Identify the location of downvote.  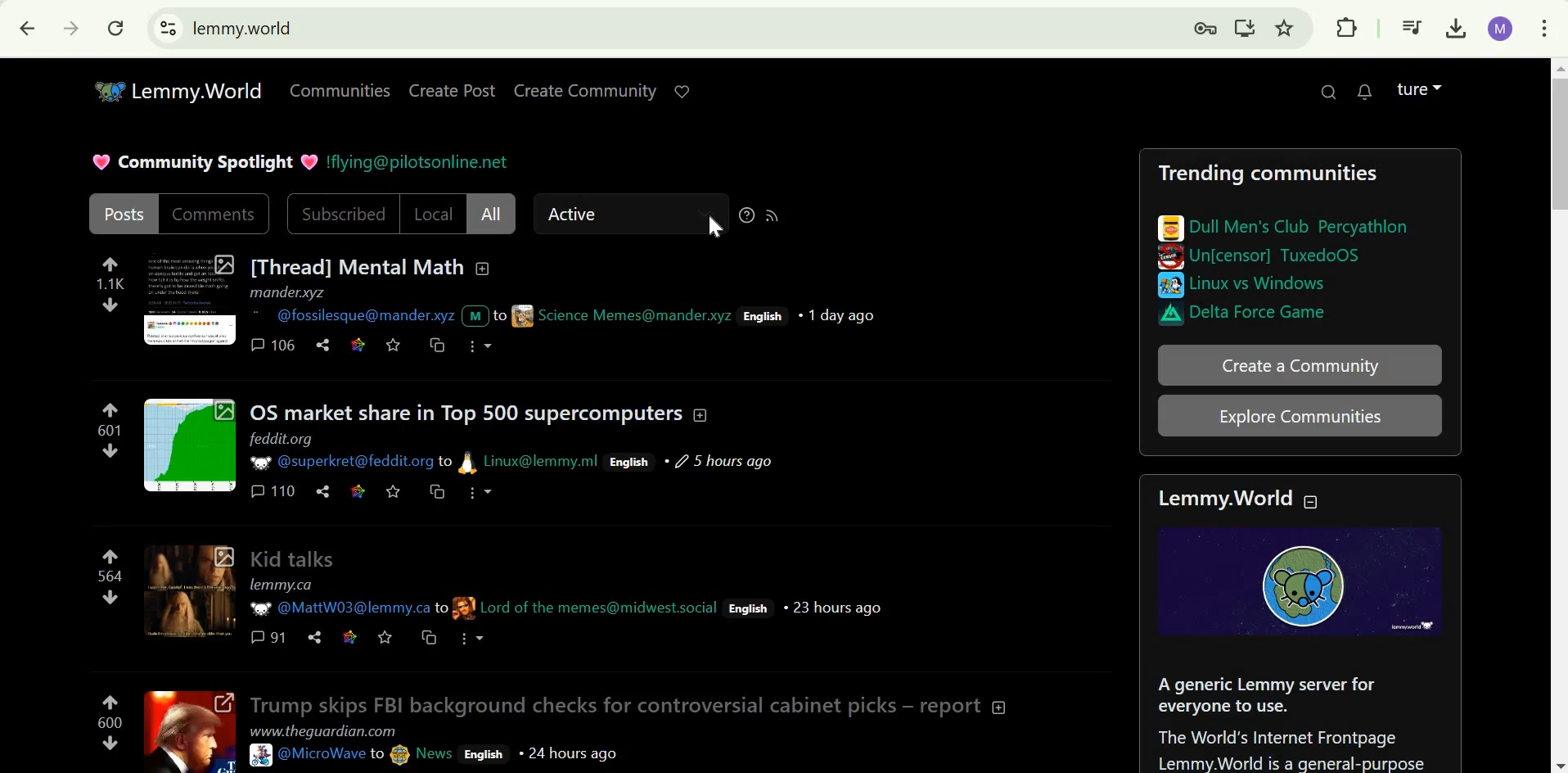
(111, 450).